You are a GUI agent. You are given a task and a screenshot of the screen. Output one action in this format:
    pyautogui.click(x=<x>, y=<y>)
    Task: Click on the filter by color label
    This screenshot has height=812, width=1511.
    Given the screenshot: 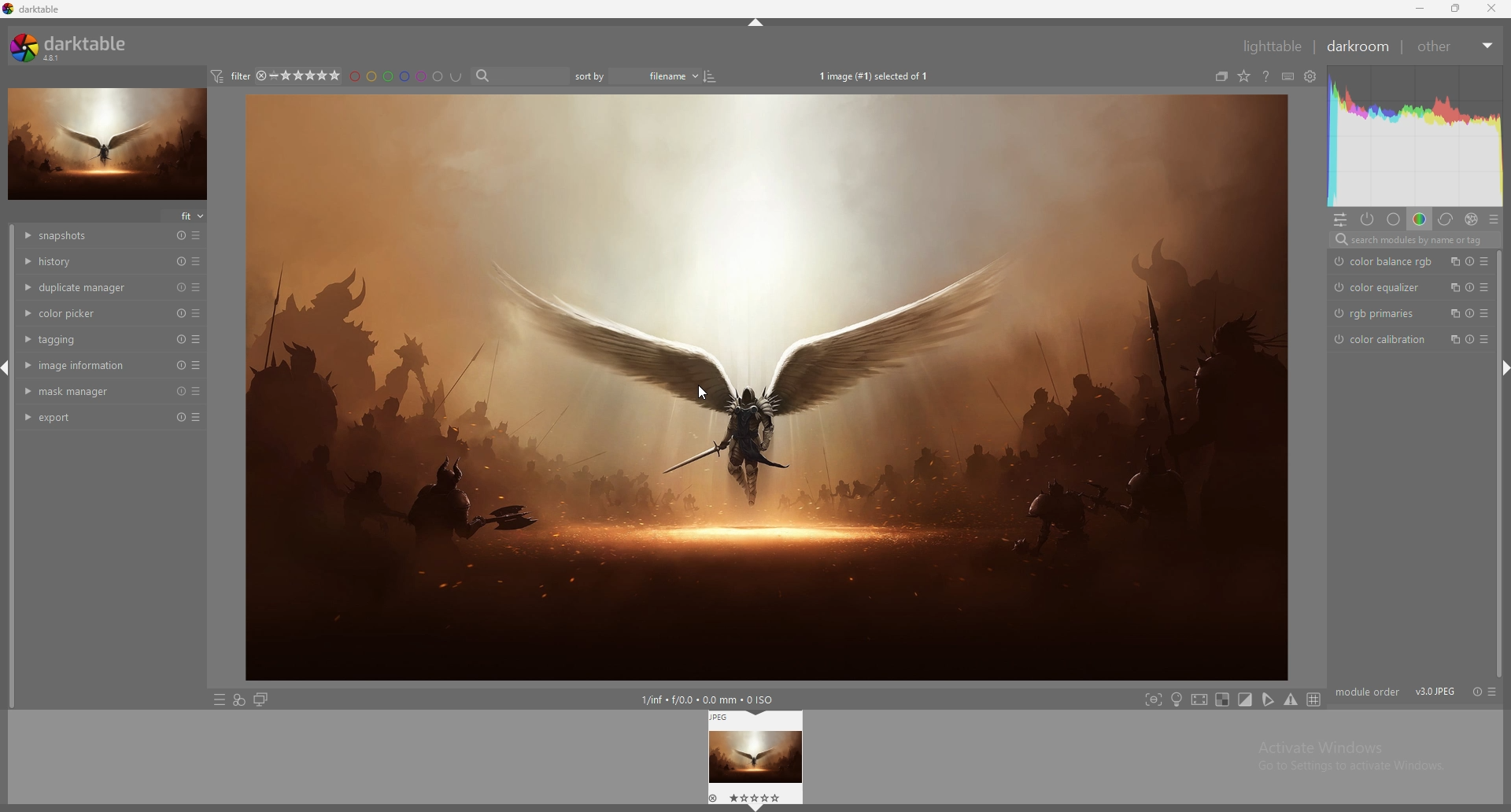 What is the action you would take?
    pyautogui.click(x=406, y=76)
    